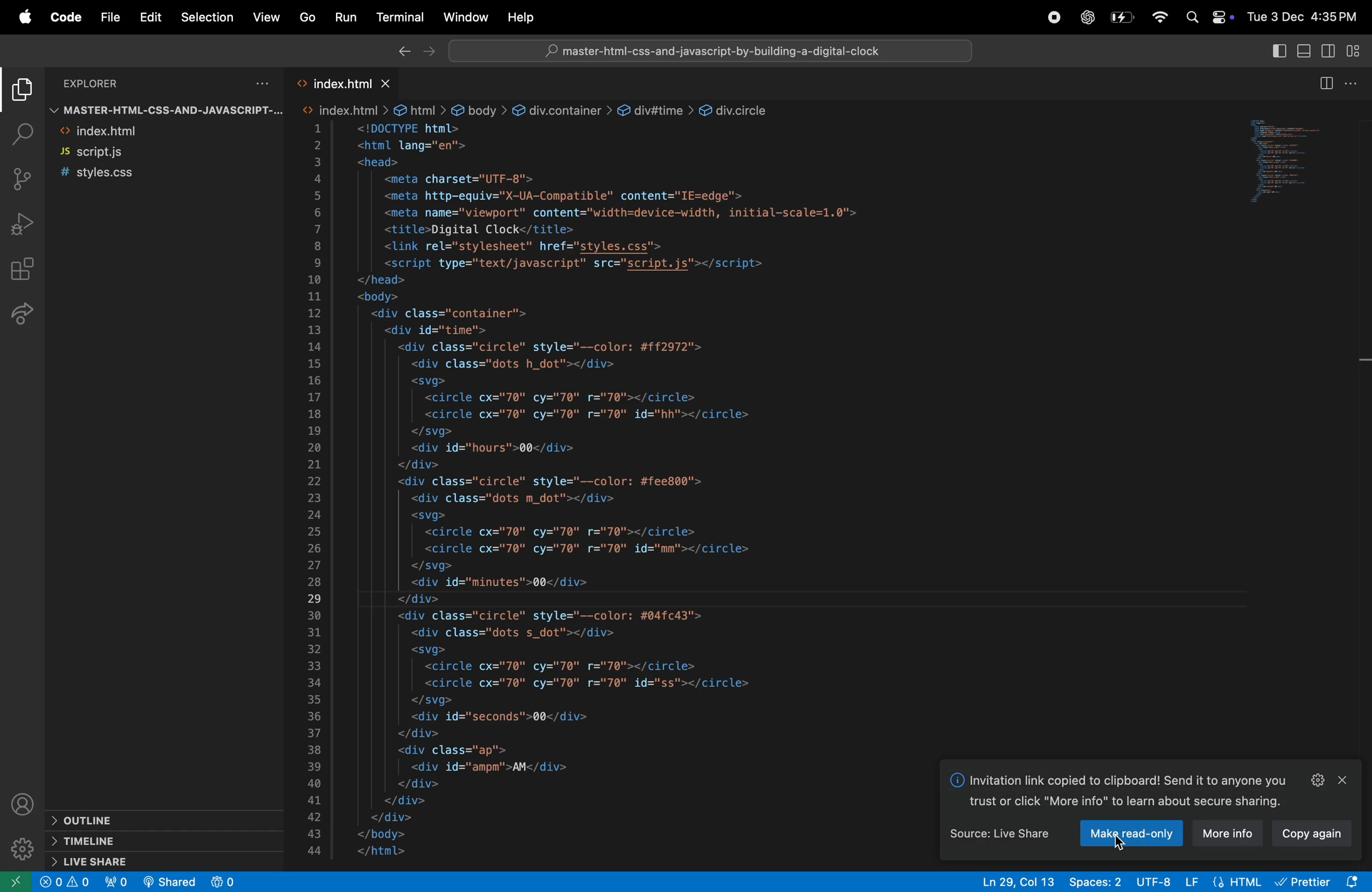  What do you see at coordinates (63, 16) in the screenshot?
I see `code` at bounding box center [63, 16].